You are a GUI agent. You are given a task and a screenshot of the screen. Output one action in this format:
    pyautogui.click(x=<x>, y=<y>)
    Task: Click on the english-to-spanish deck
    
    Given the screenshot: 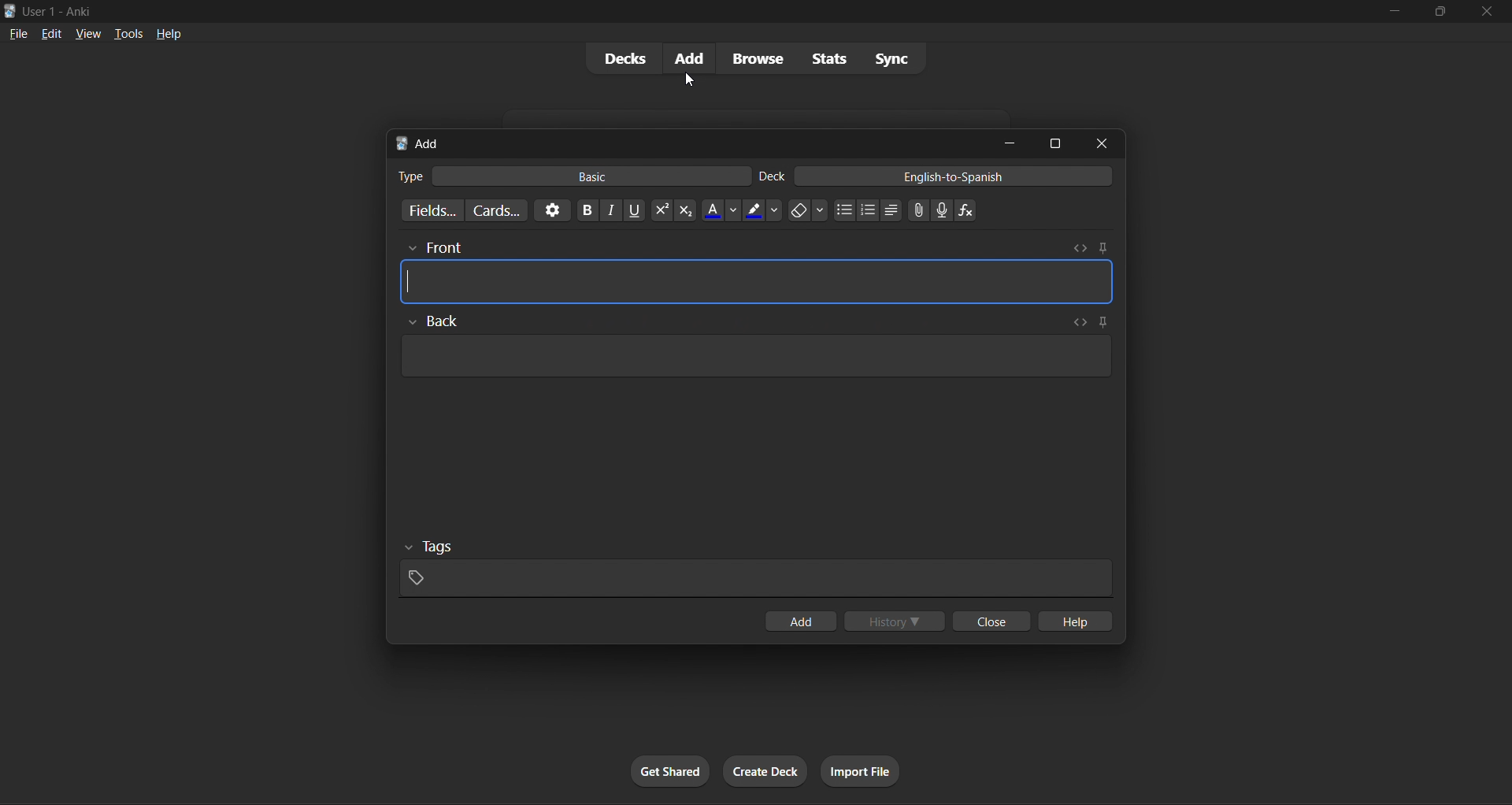 What is the action you would take?
    pyautogui.click(x=936, y=178)
    